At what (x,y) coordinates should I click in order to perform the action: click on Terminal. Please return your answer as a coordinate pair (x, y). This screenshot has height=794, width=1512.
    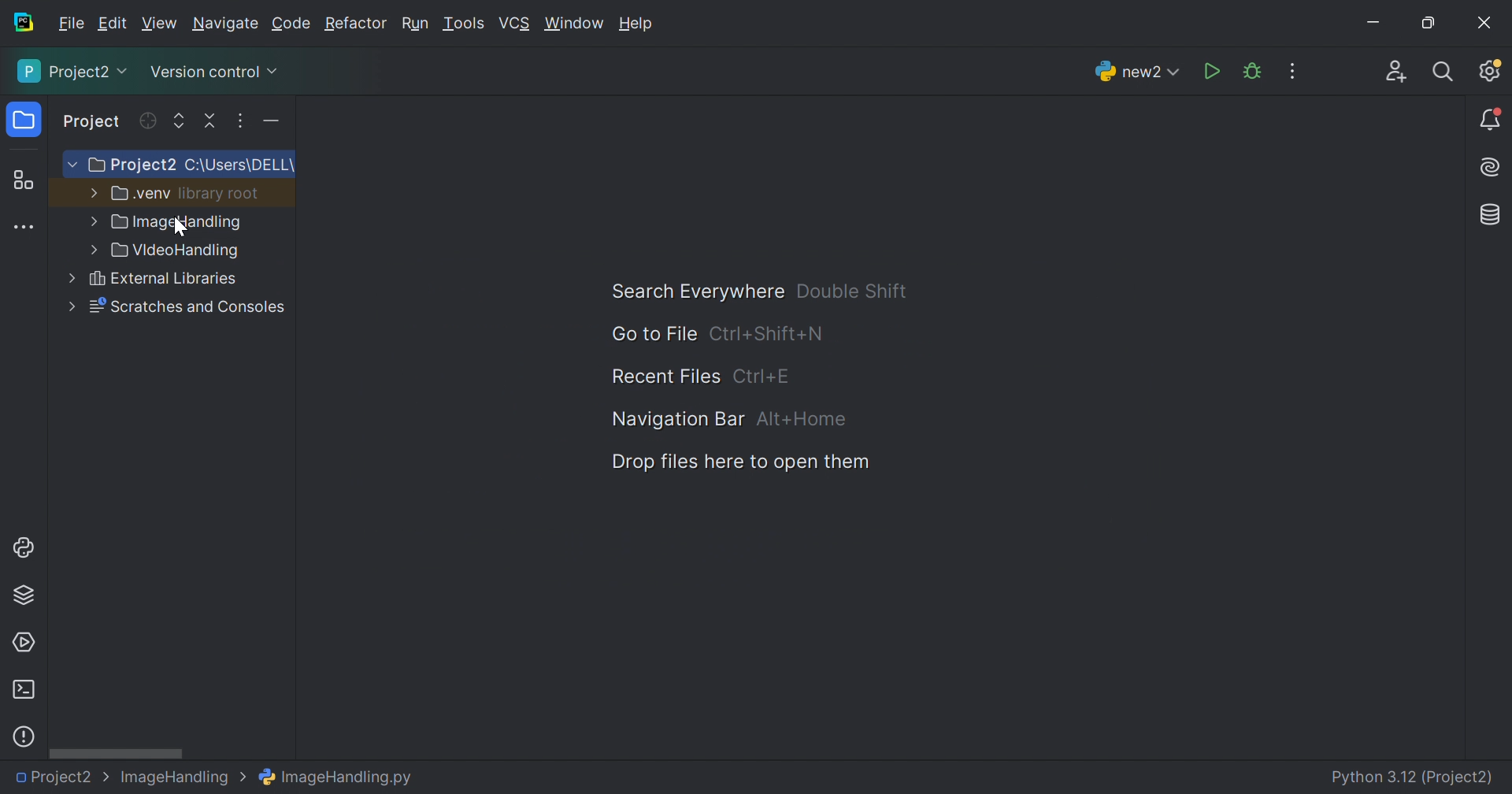
    Looking at the image, I should click on (23, 690).